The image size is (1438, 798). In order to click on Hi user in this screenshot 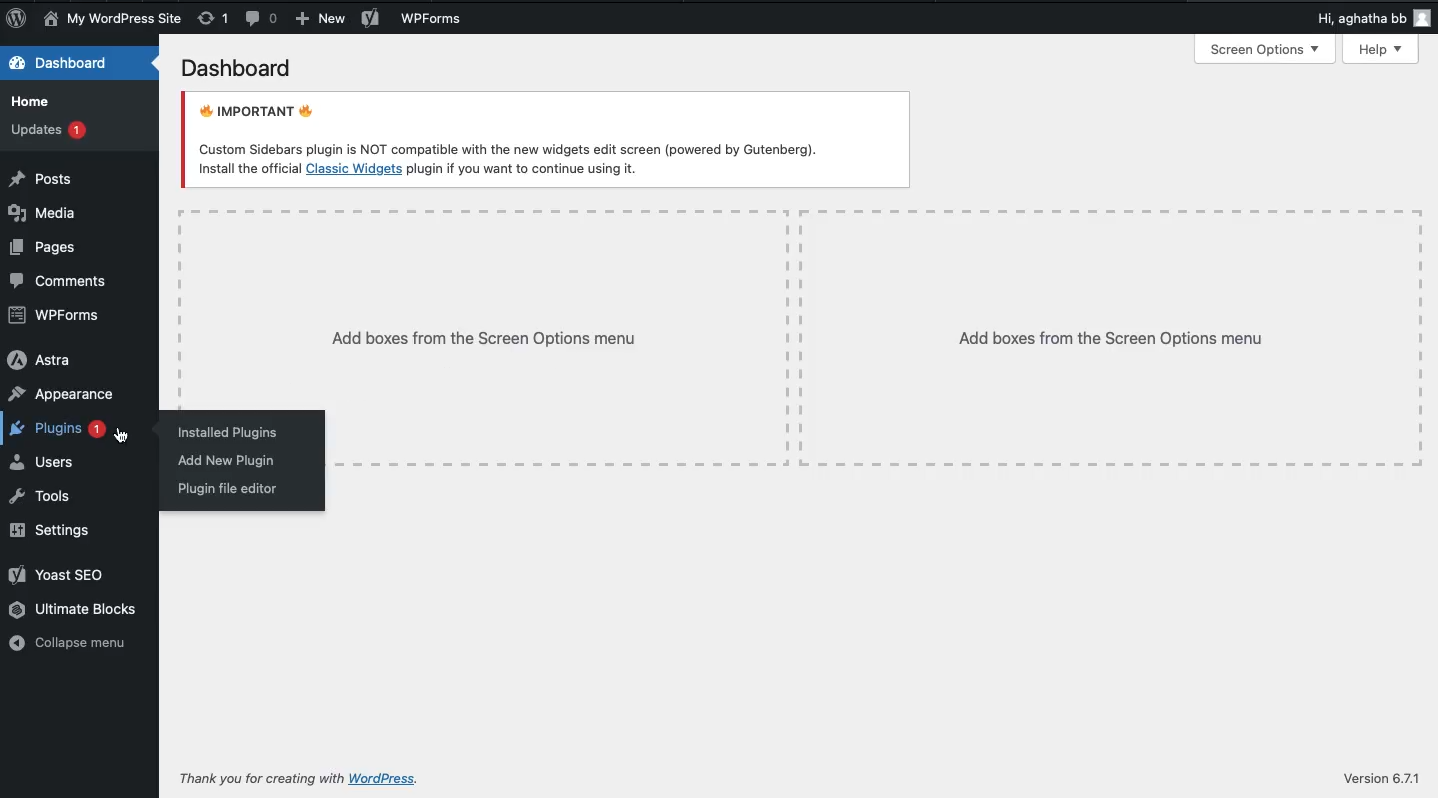, I will do `click(1372, 20)`.